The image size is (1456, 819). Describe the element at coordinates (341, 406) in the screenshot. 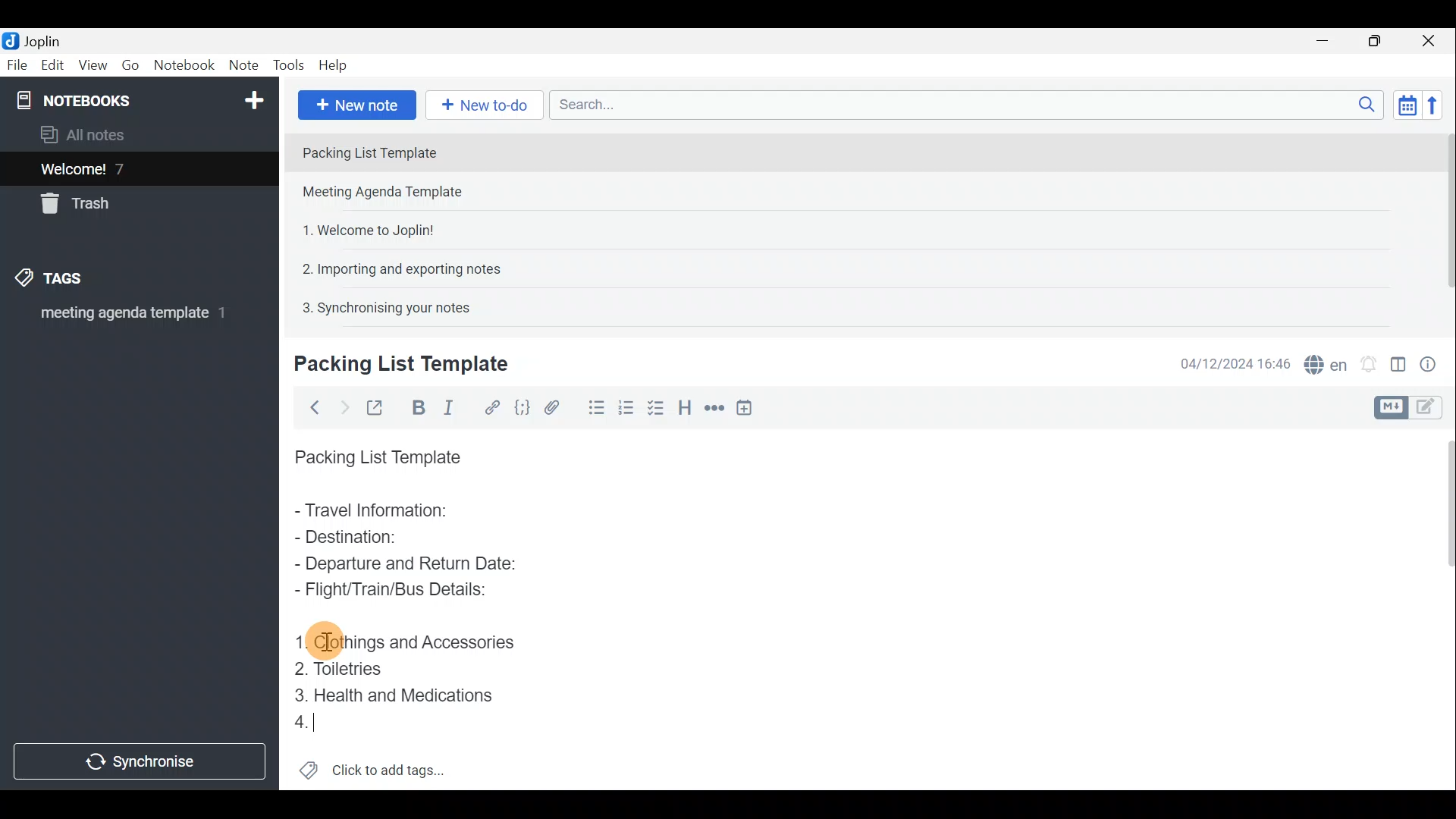

I see `Forward` at that location.